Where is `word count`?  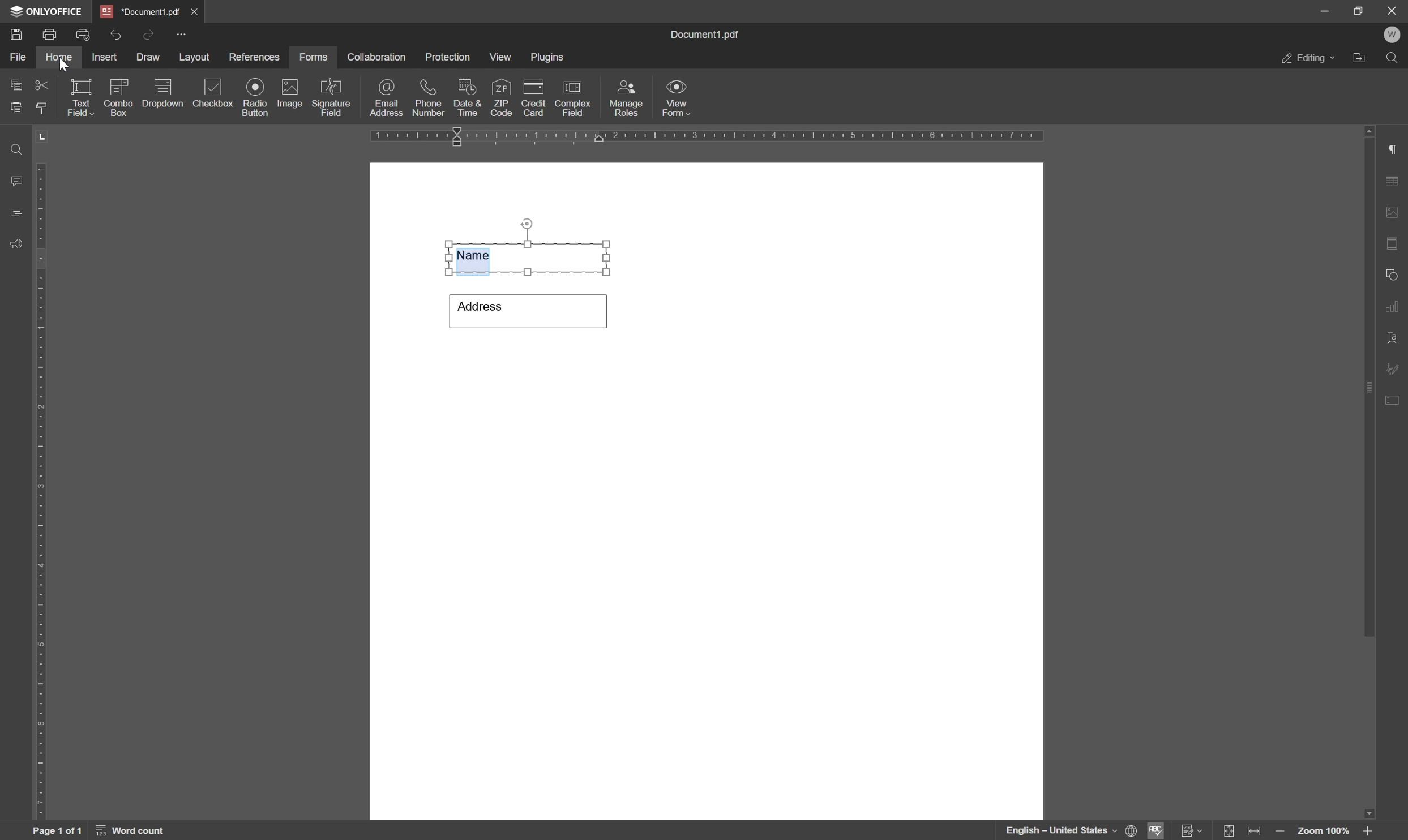
word count is located at coordinates (134, 831).